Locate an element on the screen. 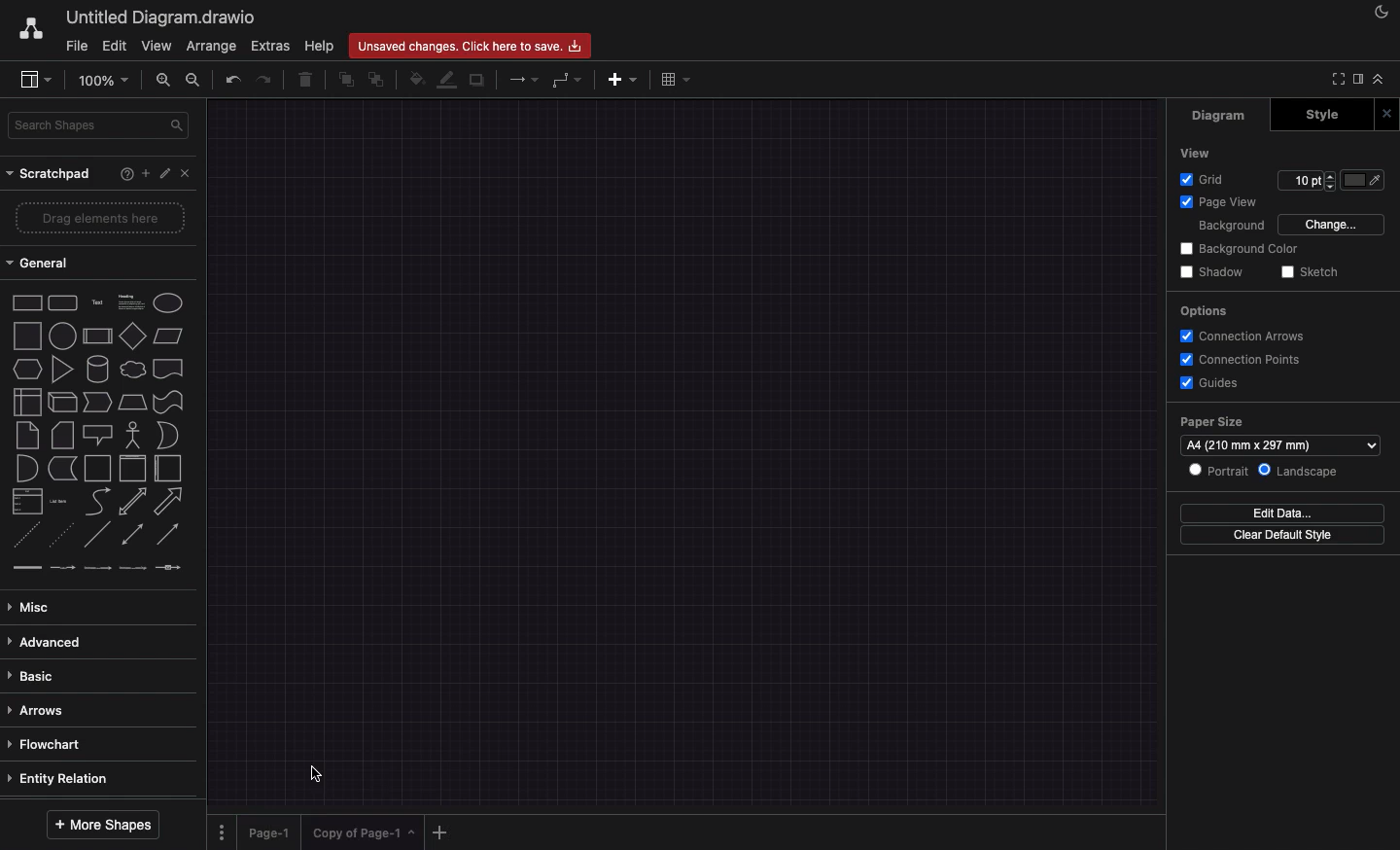  card is located at coordinates (63, 435).